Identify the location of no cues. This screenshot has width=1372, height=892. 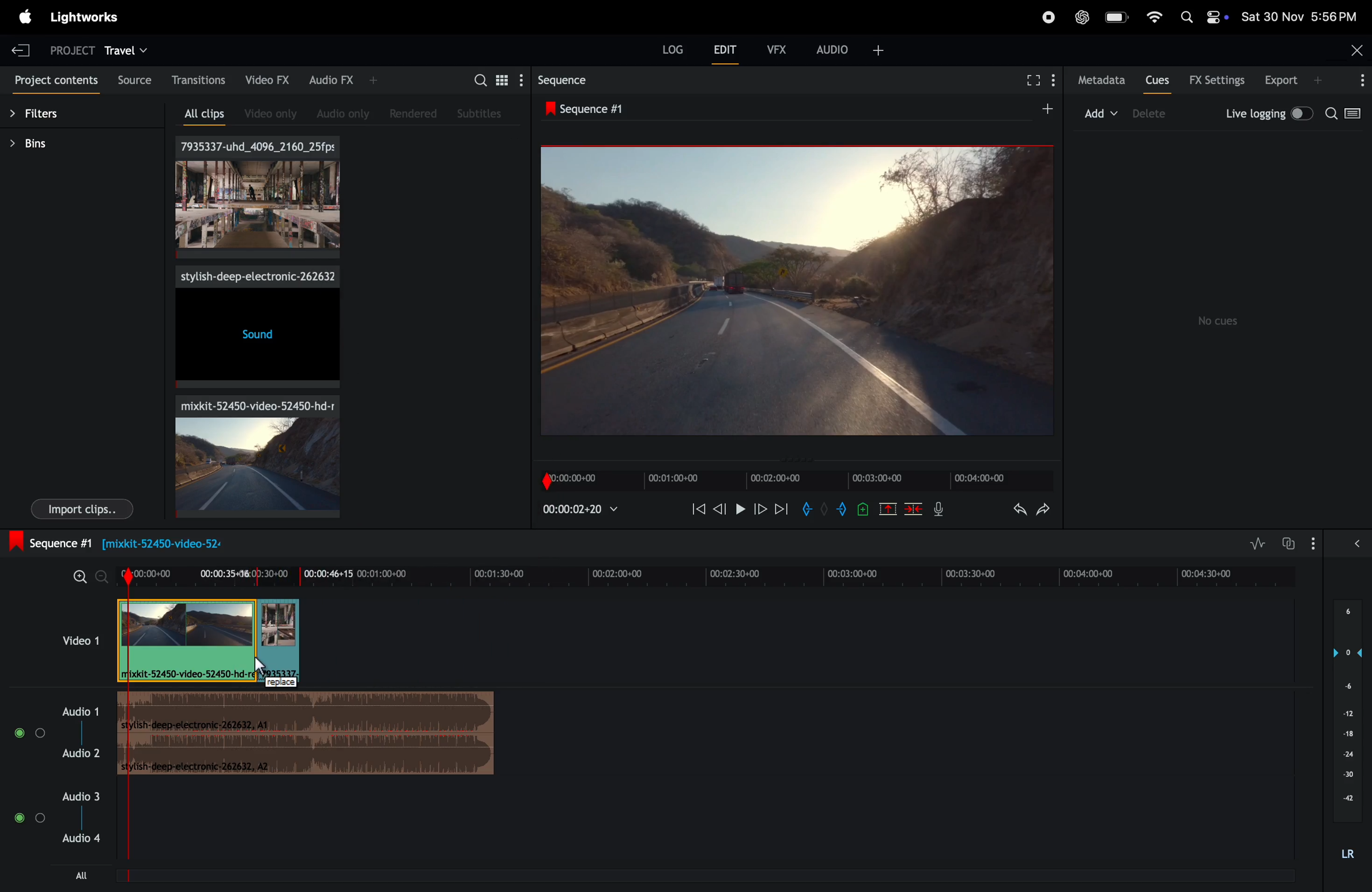
(1220, 321).